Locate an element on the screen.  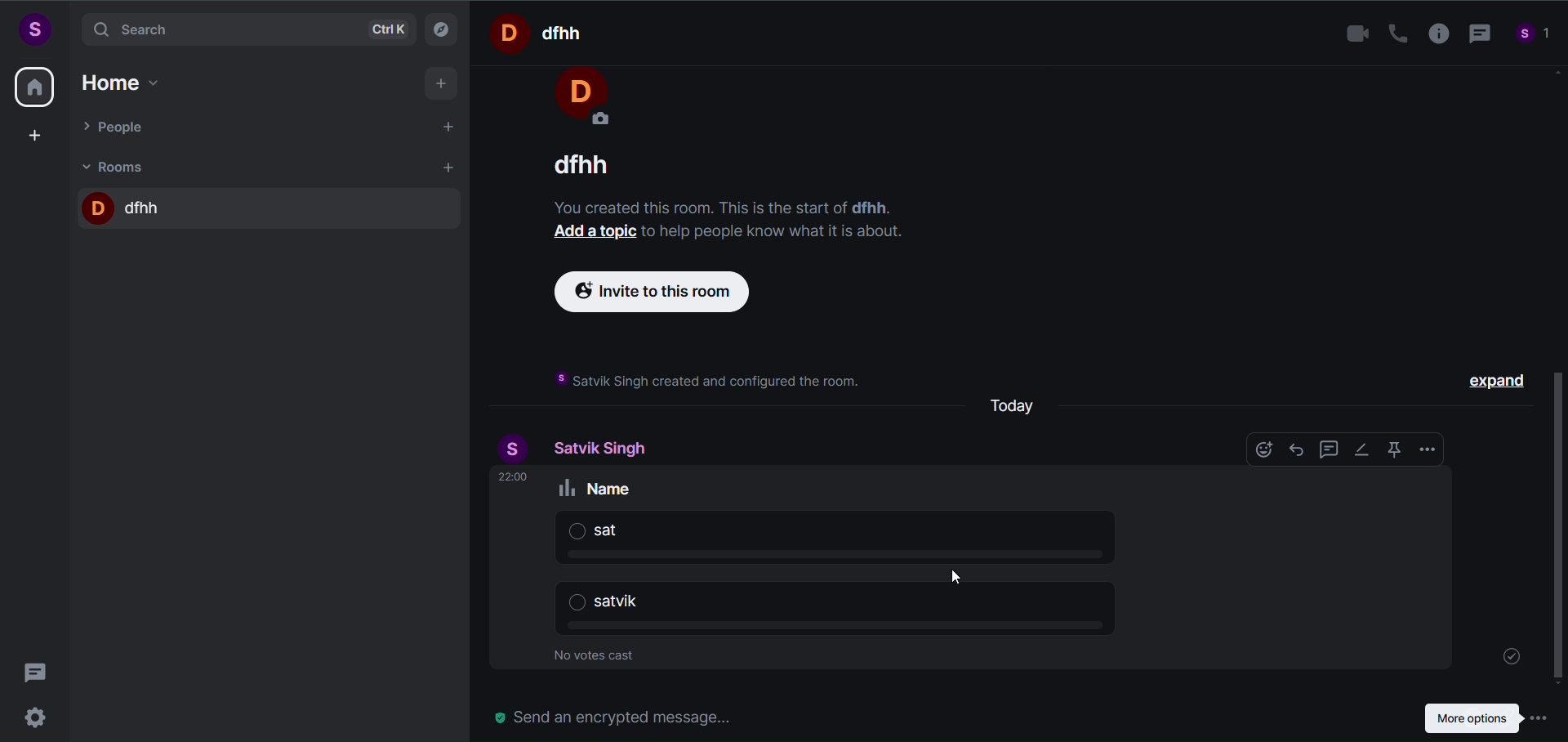
add is located at coordinates (443, 84).